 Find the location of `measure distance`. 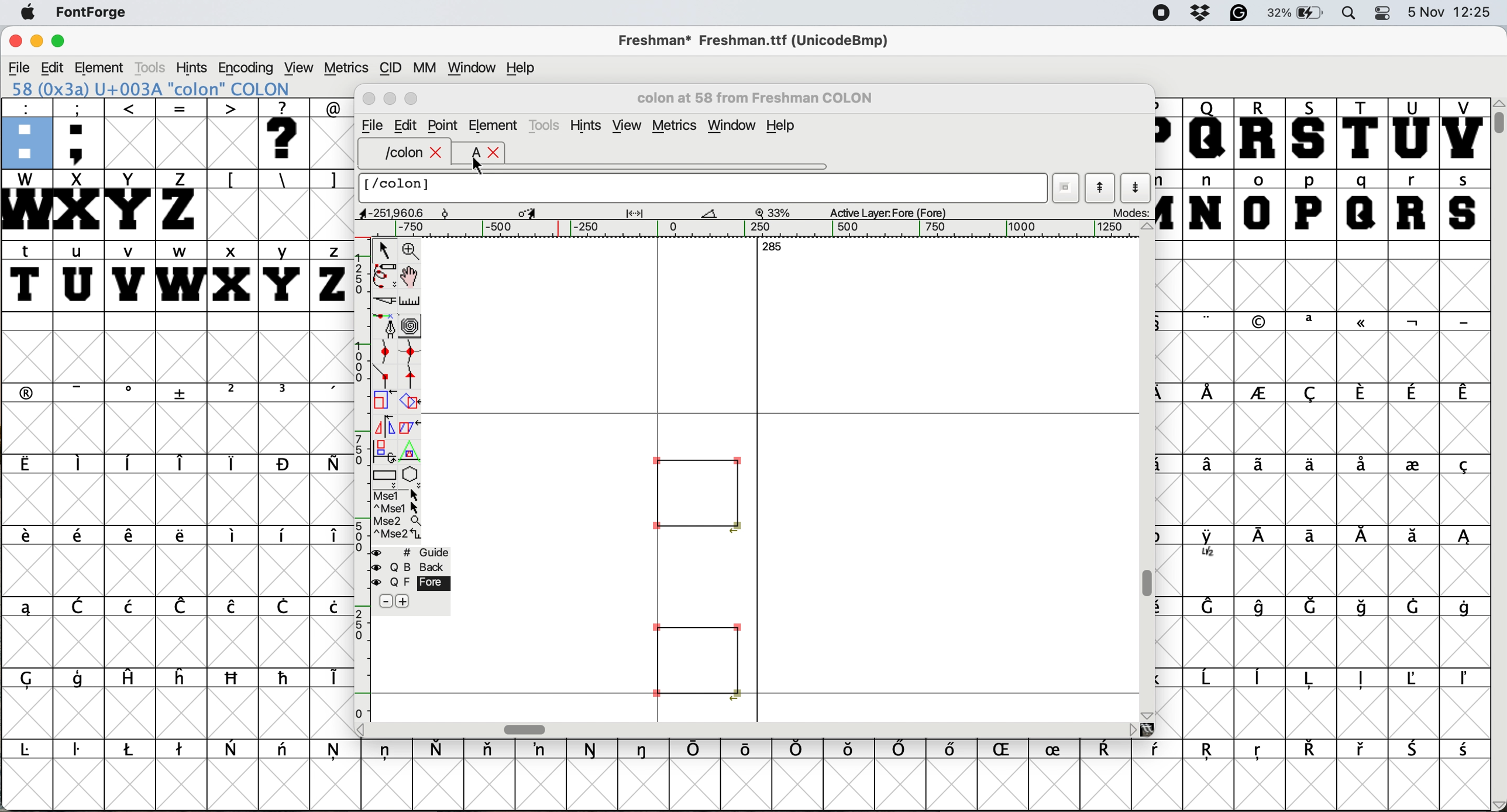

measure distance is located at coordinates (410, 299).